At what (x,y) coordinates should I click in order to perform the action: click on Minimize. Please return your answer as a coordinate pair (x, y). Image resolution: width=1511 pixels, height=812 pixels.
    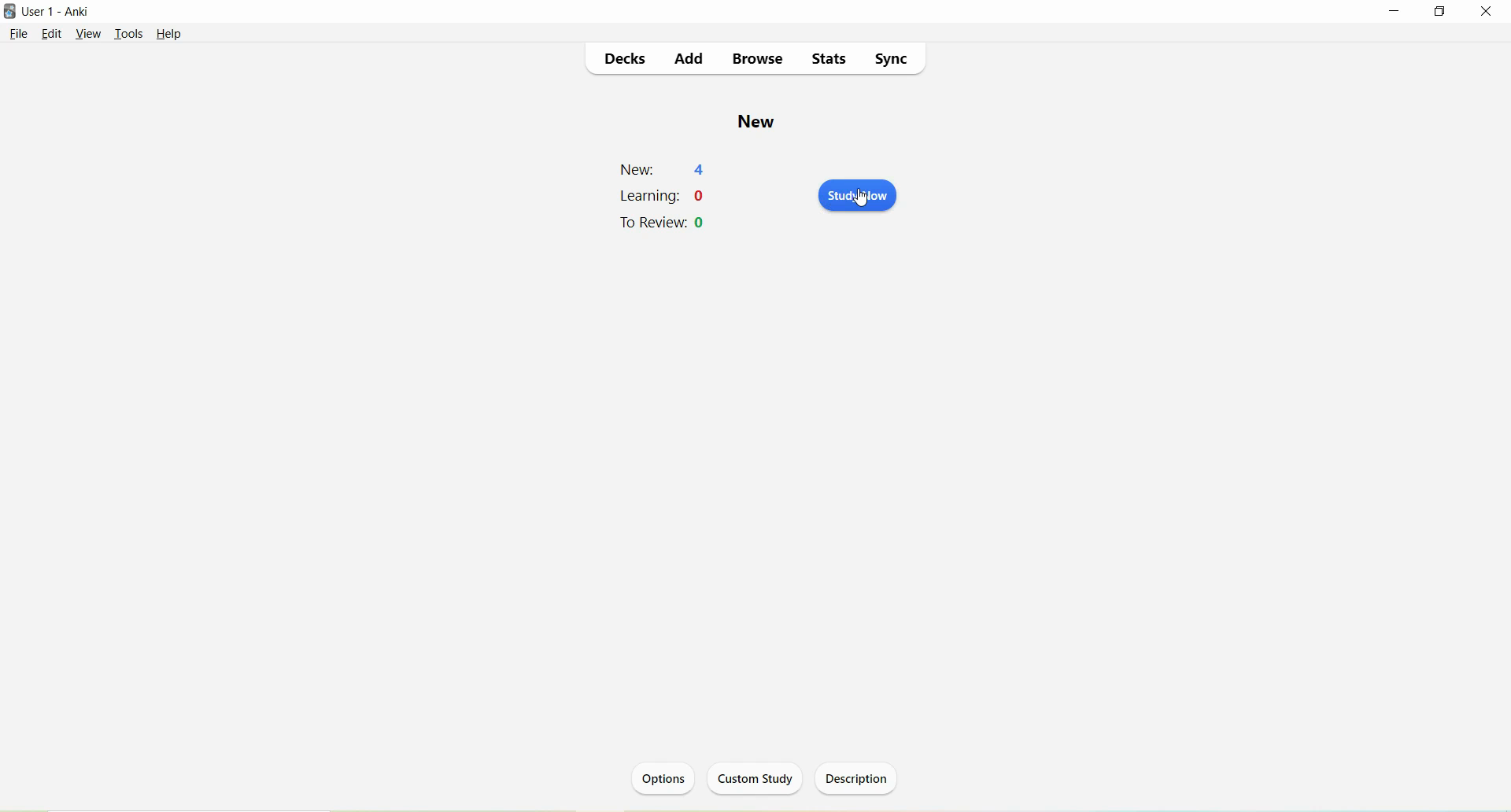
    Looking at the image, I should click on (1395, 11).